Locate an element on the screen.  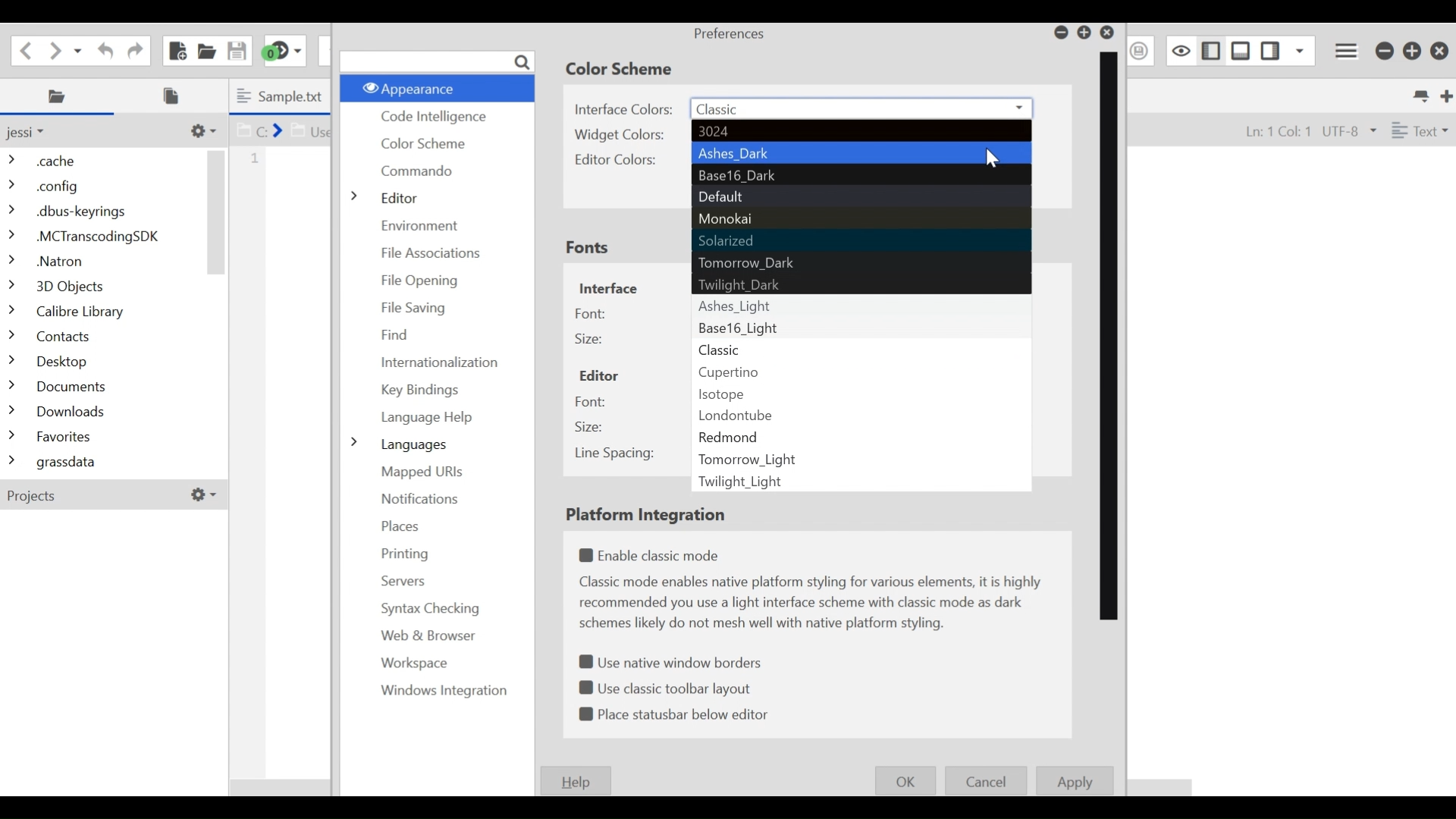
redmond is located at coordinates (862, 435).